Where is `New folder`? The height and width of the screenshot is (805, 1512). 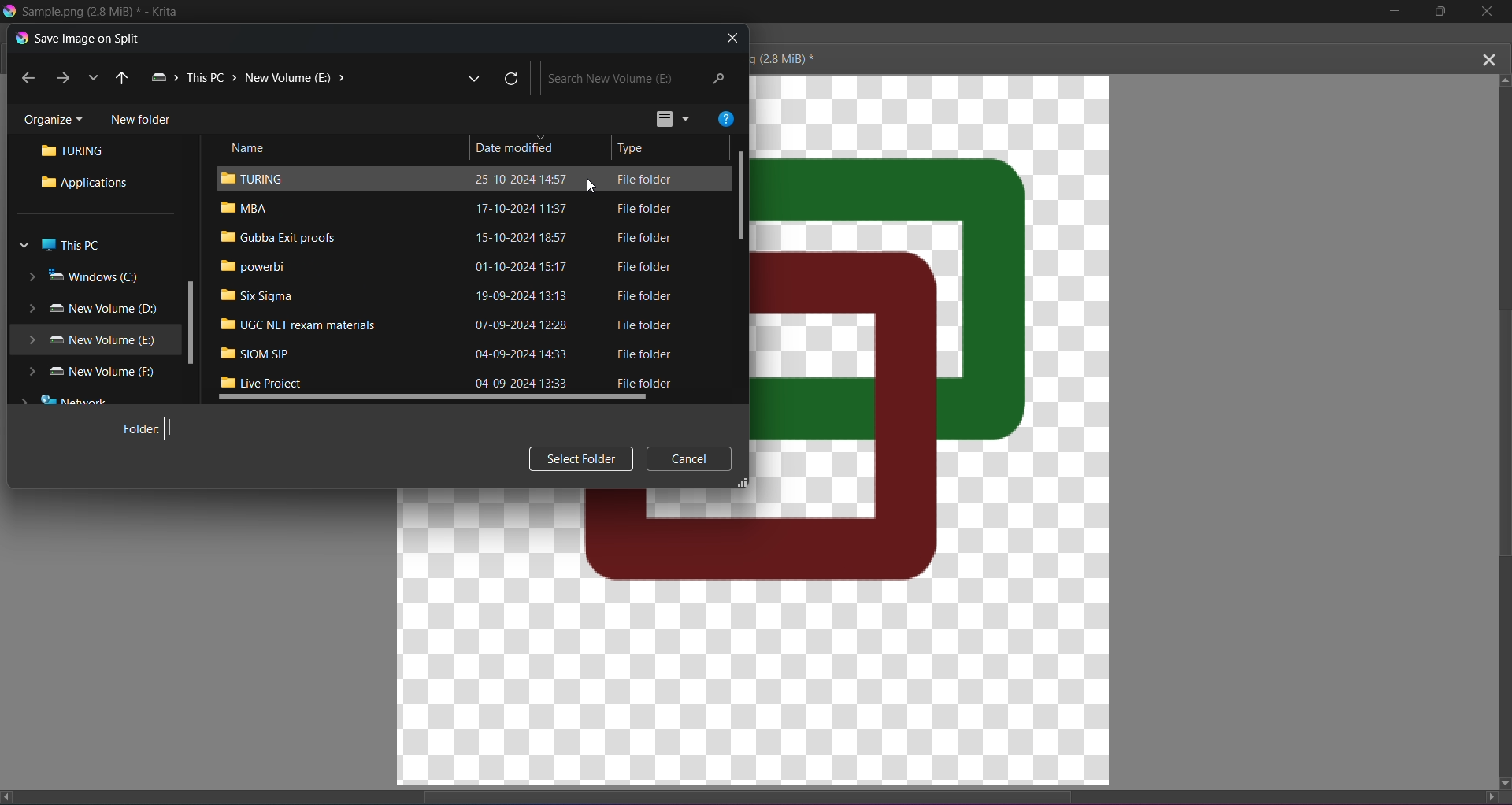 New folder is located at coordinates (141, 118).